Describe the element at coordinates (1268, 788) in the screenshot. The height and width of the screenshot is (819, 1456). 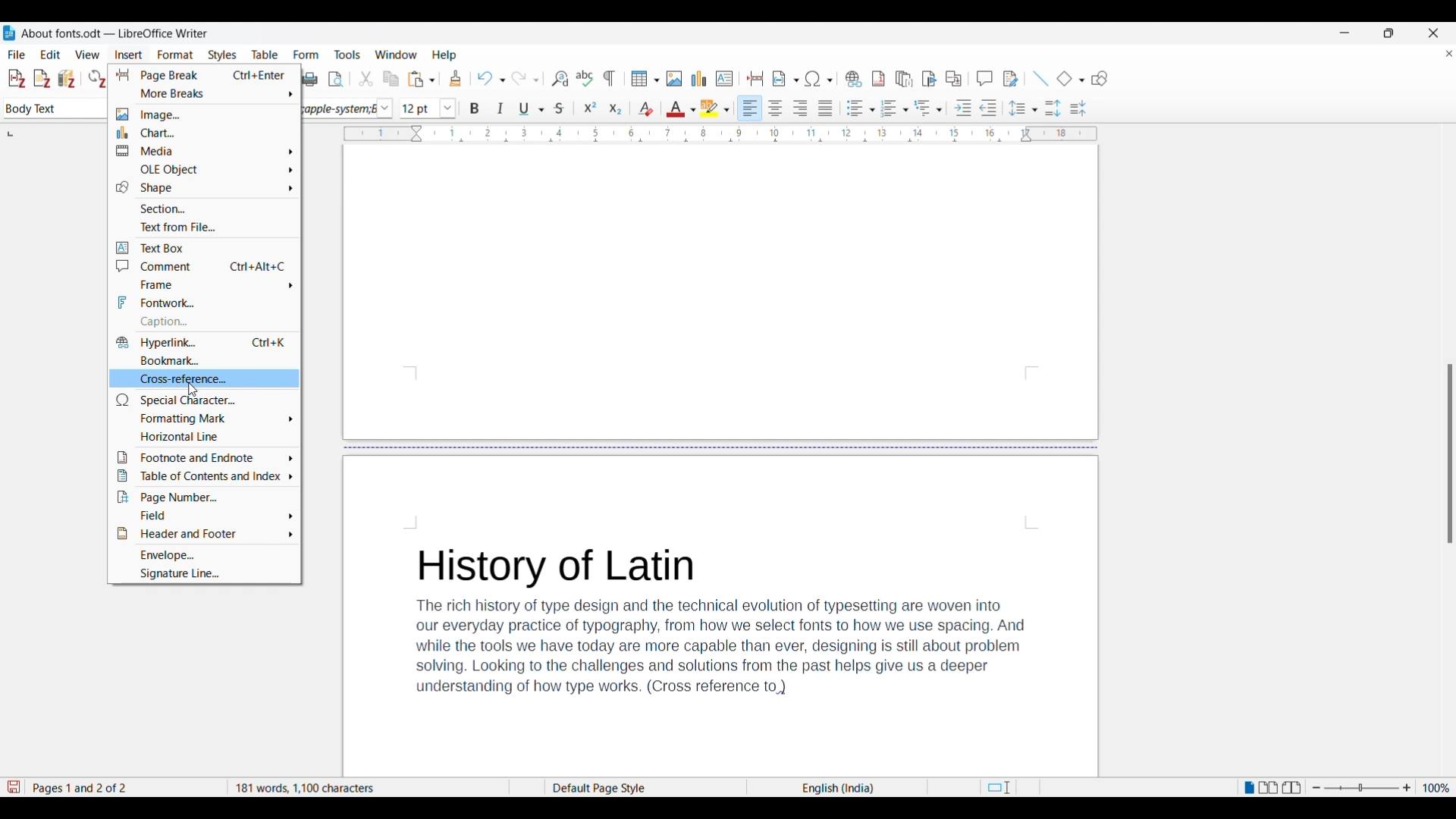
I see `Multiple page view` at that location.